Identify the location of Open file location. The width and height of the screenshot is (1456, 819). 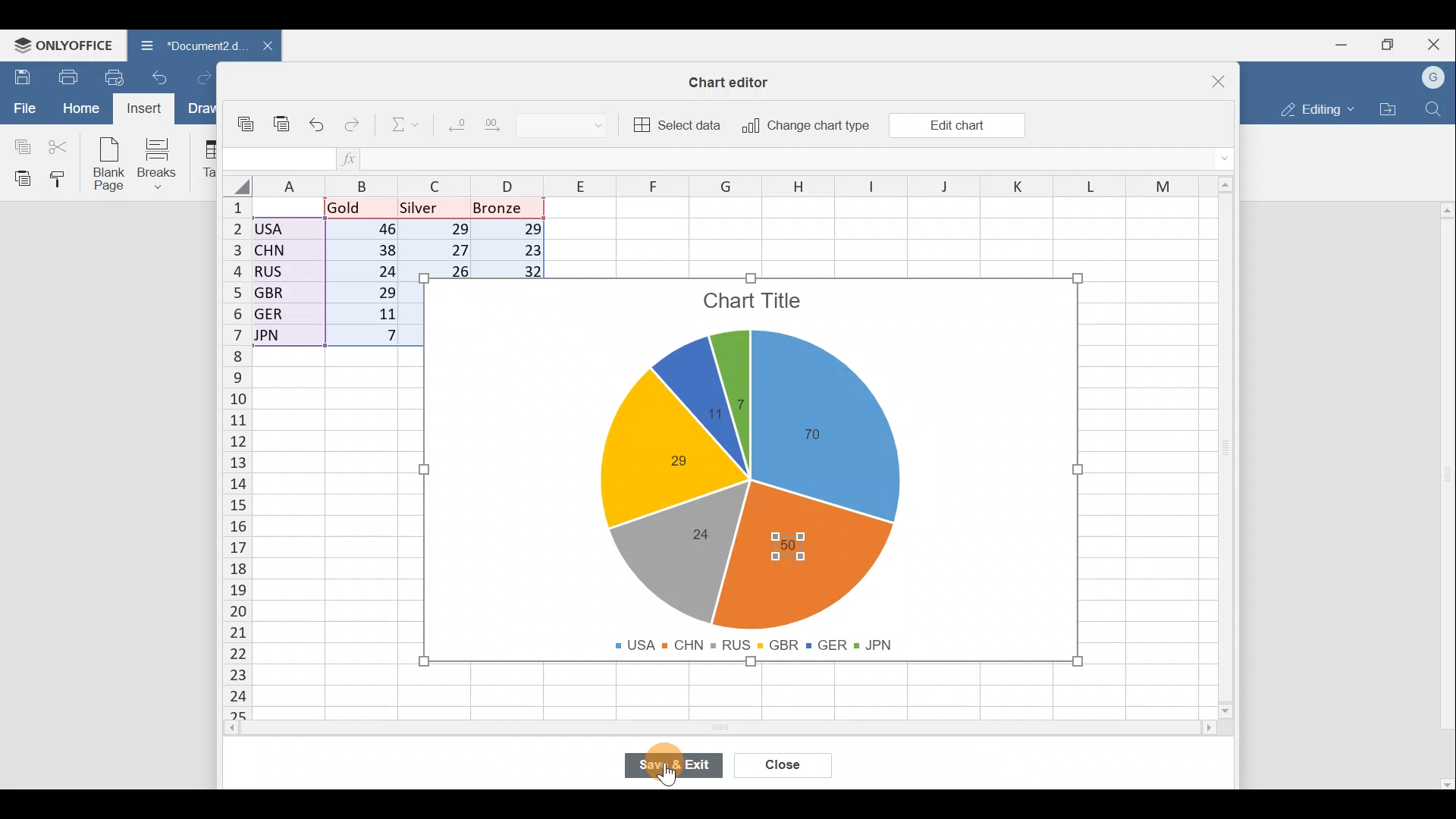
(1388, 109).